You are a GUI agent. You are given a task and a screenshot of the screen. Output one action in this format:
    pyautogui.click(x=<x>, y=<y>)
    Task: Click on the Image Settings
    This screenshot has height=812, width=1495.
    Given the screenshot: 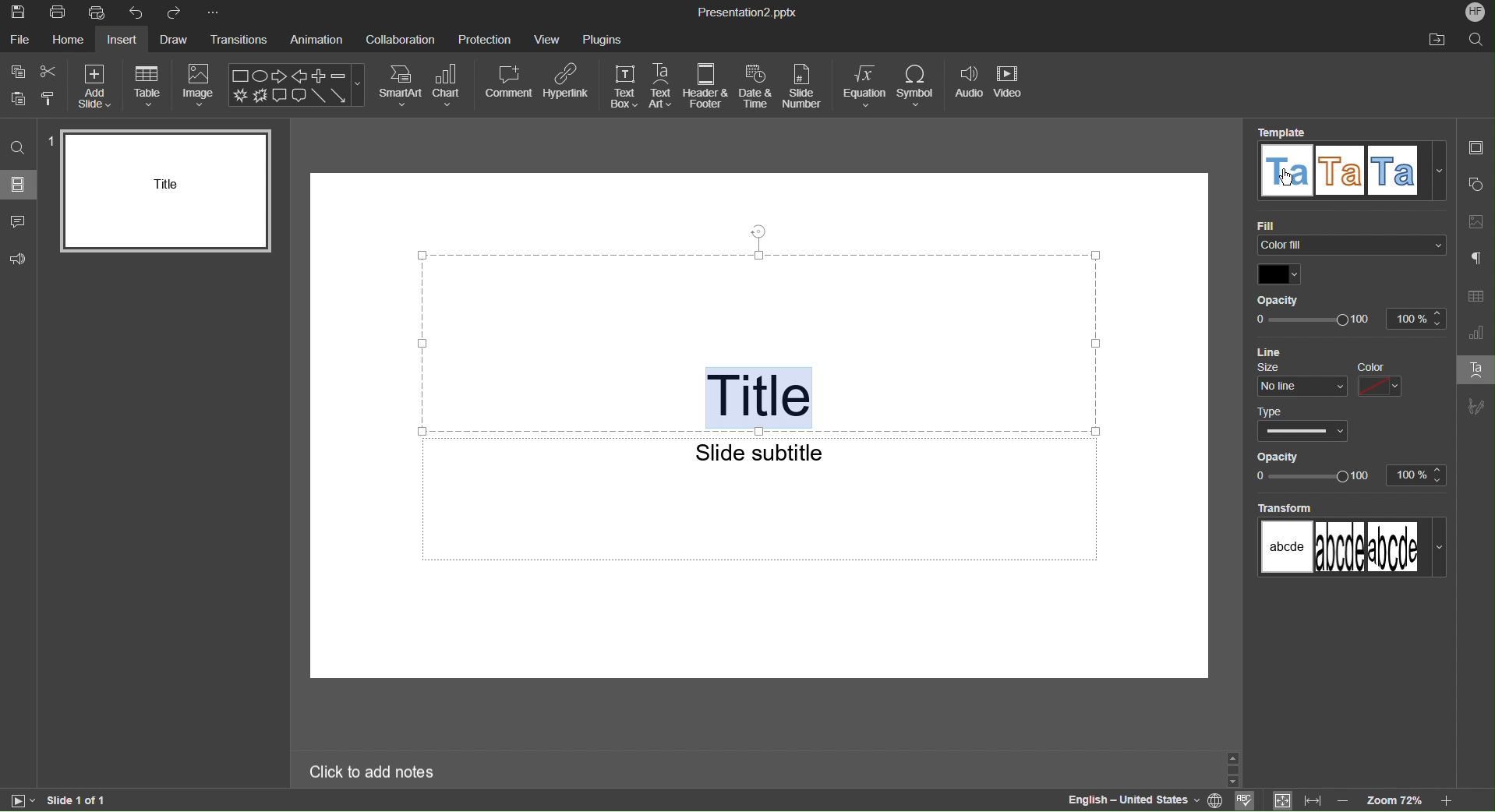 What is the action you would take?
    pyautogui.click(x=1476, y=223)
    